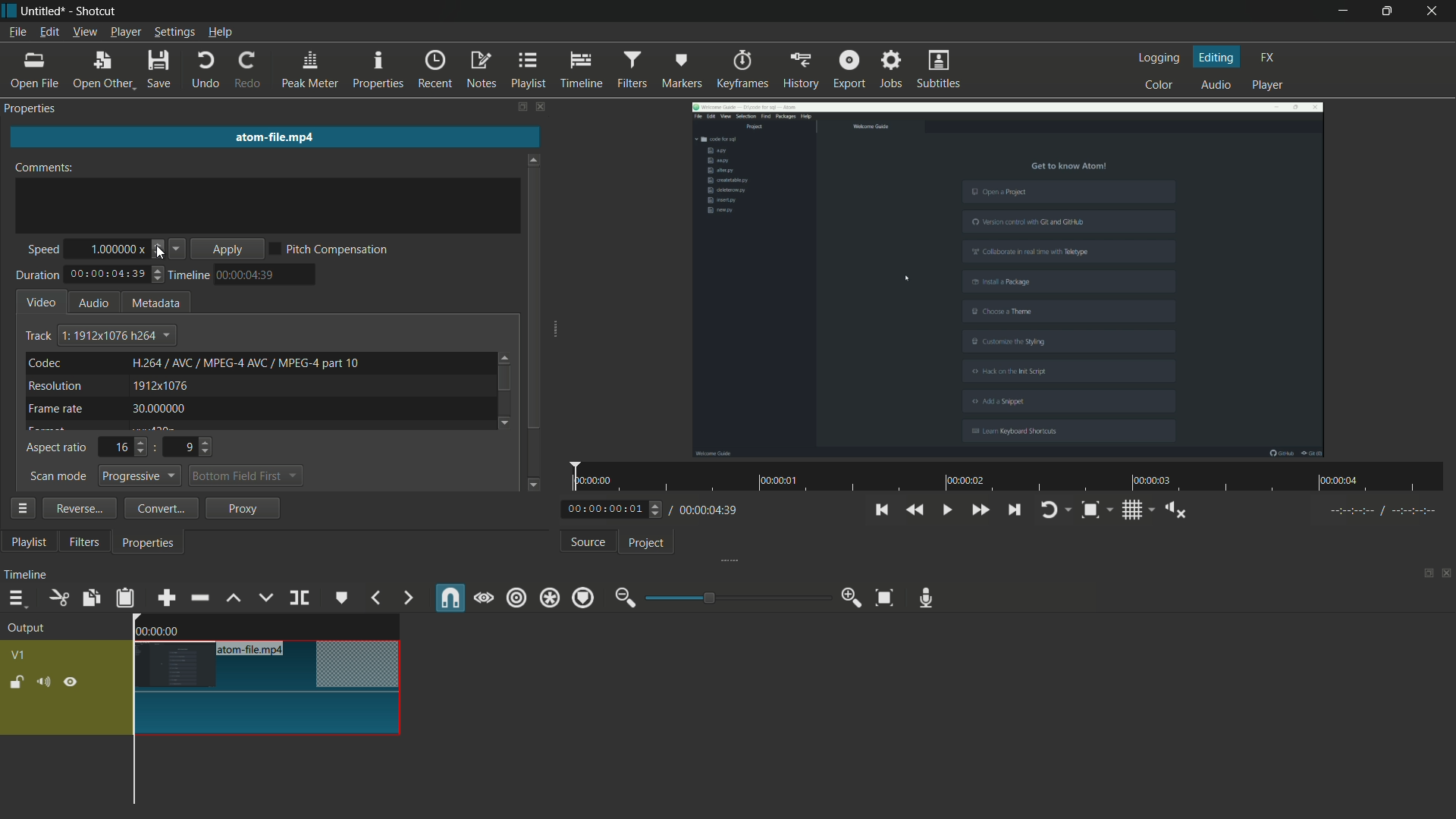  Describe the element at coordinates (166, 598) in the screenshot. I see `append` at that location.